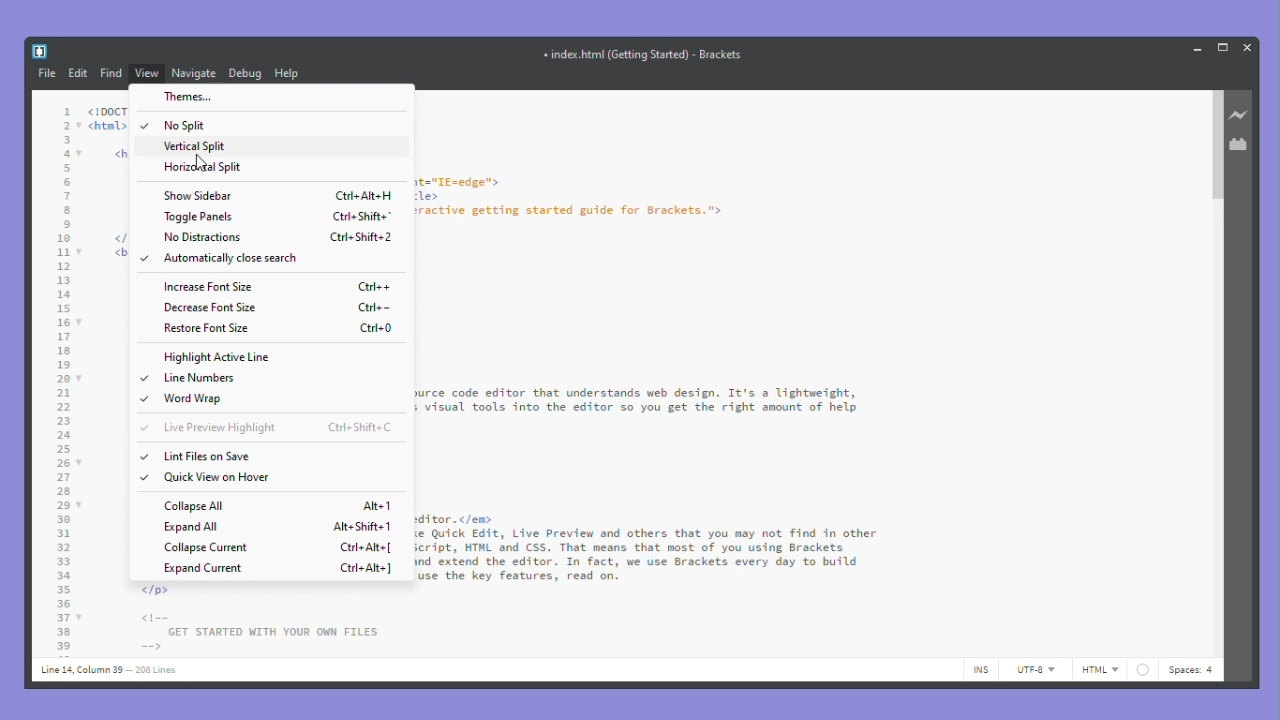  What do you see at coordinates (64, 435) in the screenshot?
I see `24` at bounding box center [64, 435].